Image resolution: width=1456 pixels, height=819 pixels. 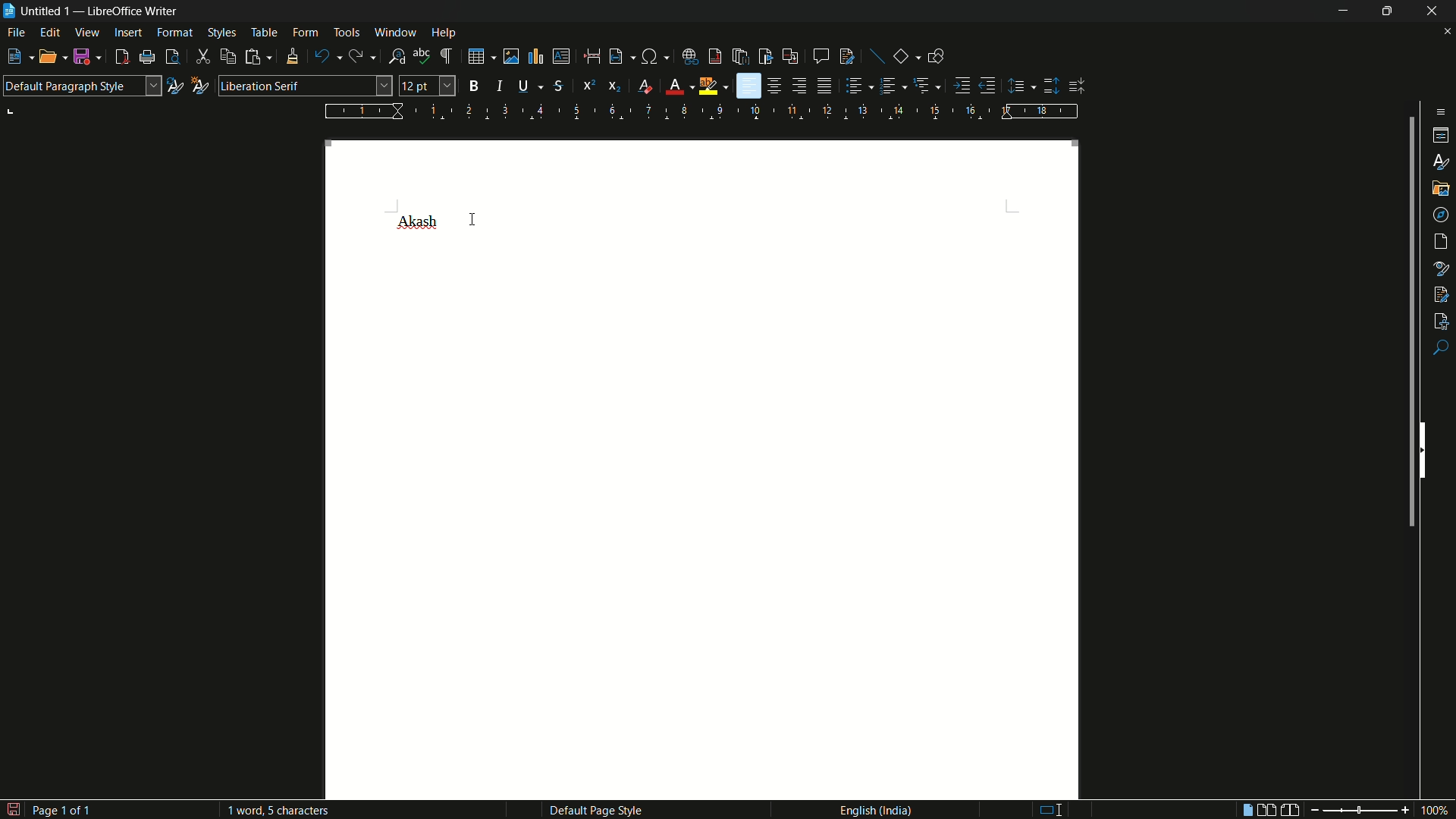 What do you see at coordinates (1433, 11) in the screenshot?
I see `close app` at bounding box center [1433, 11].